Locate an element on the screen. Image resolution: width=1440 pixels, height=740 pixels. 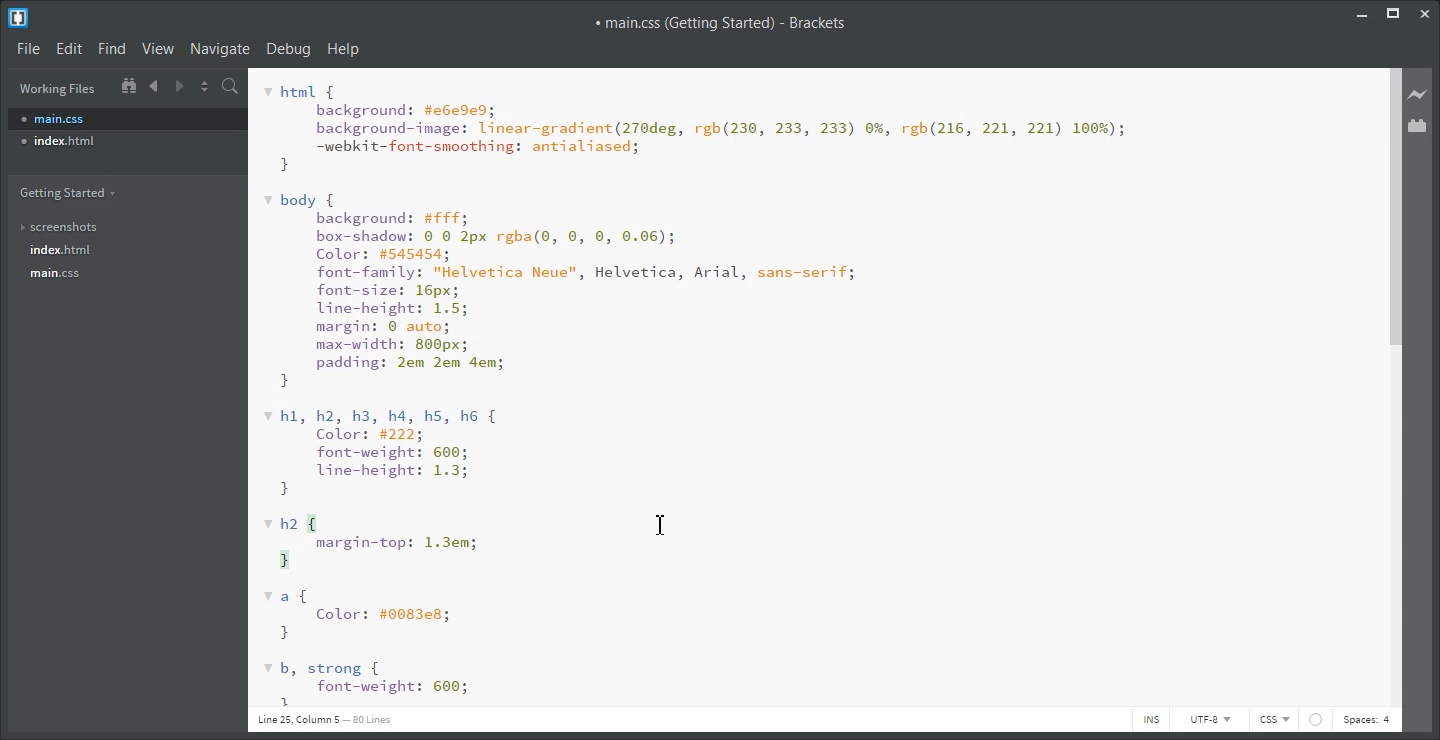
Close is located at coordinates (1427, 13).